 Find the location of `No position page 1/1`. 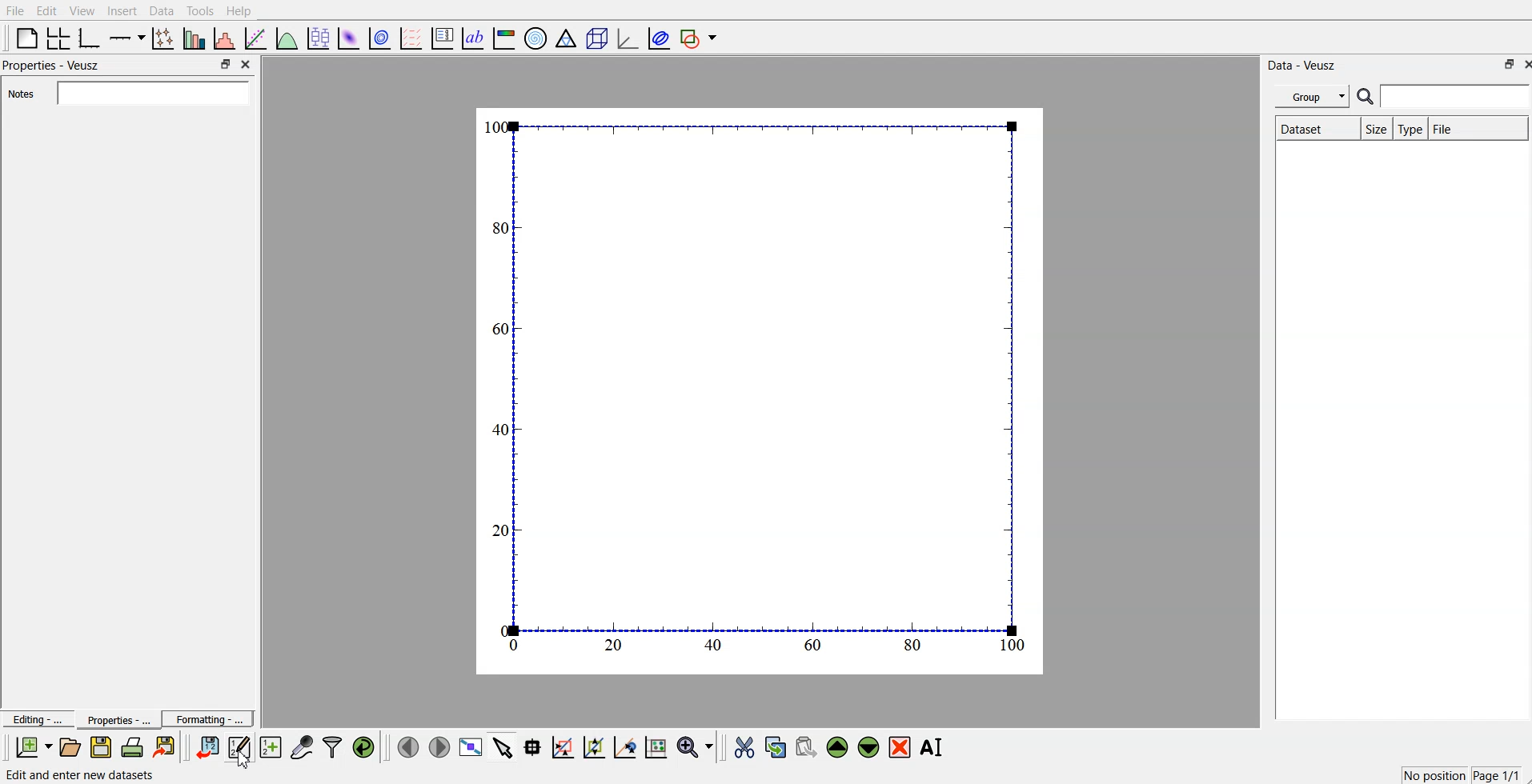

No position page 1/1 is located at coordinates (1460, 774).